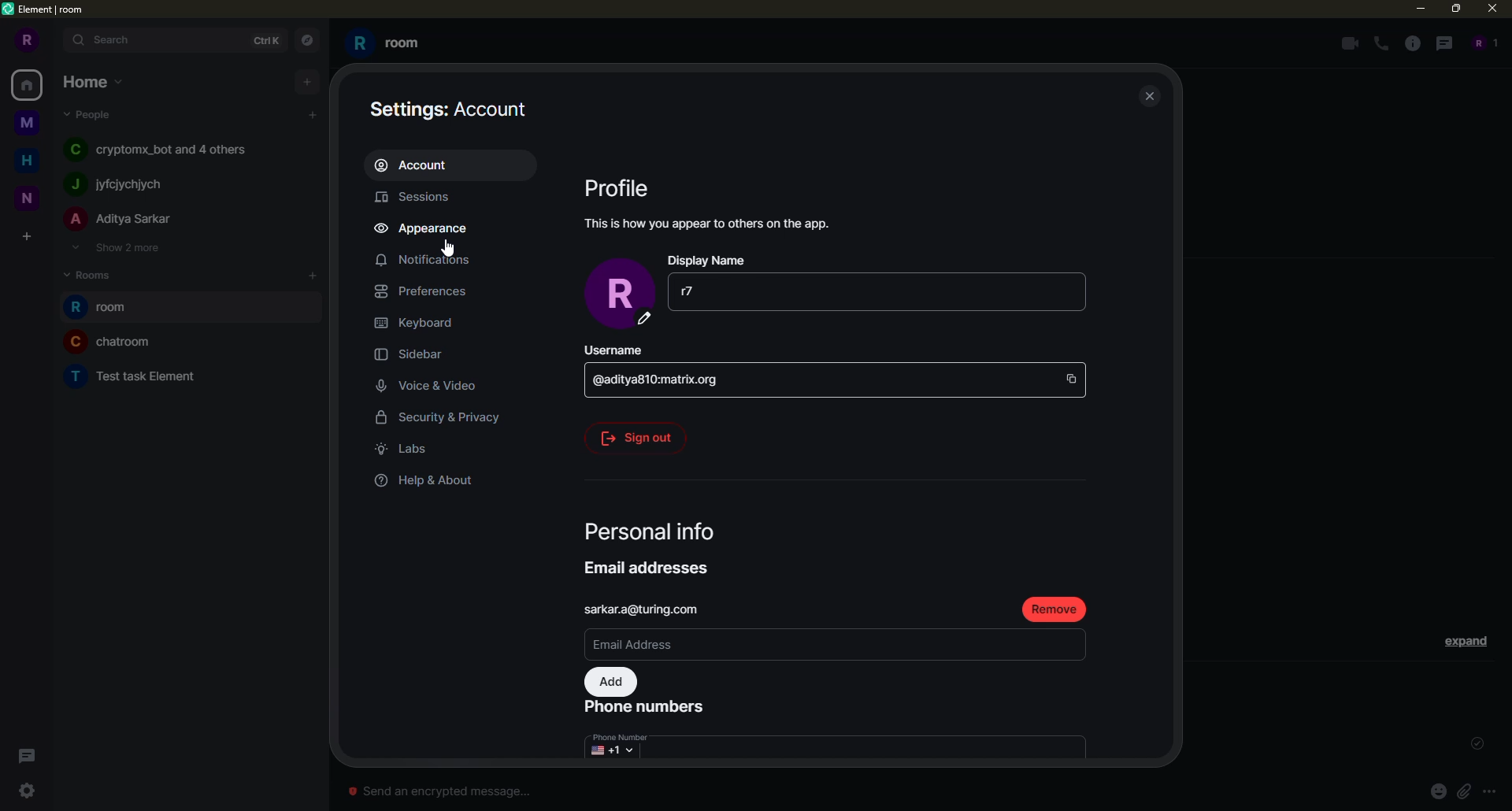  Describe the element at coordinates (30, 84) in the screenshot. I see `home` at that location.